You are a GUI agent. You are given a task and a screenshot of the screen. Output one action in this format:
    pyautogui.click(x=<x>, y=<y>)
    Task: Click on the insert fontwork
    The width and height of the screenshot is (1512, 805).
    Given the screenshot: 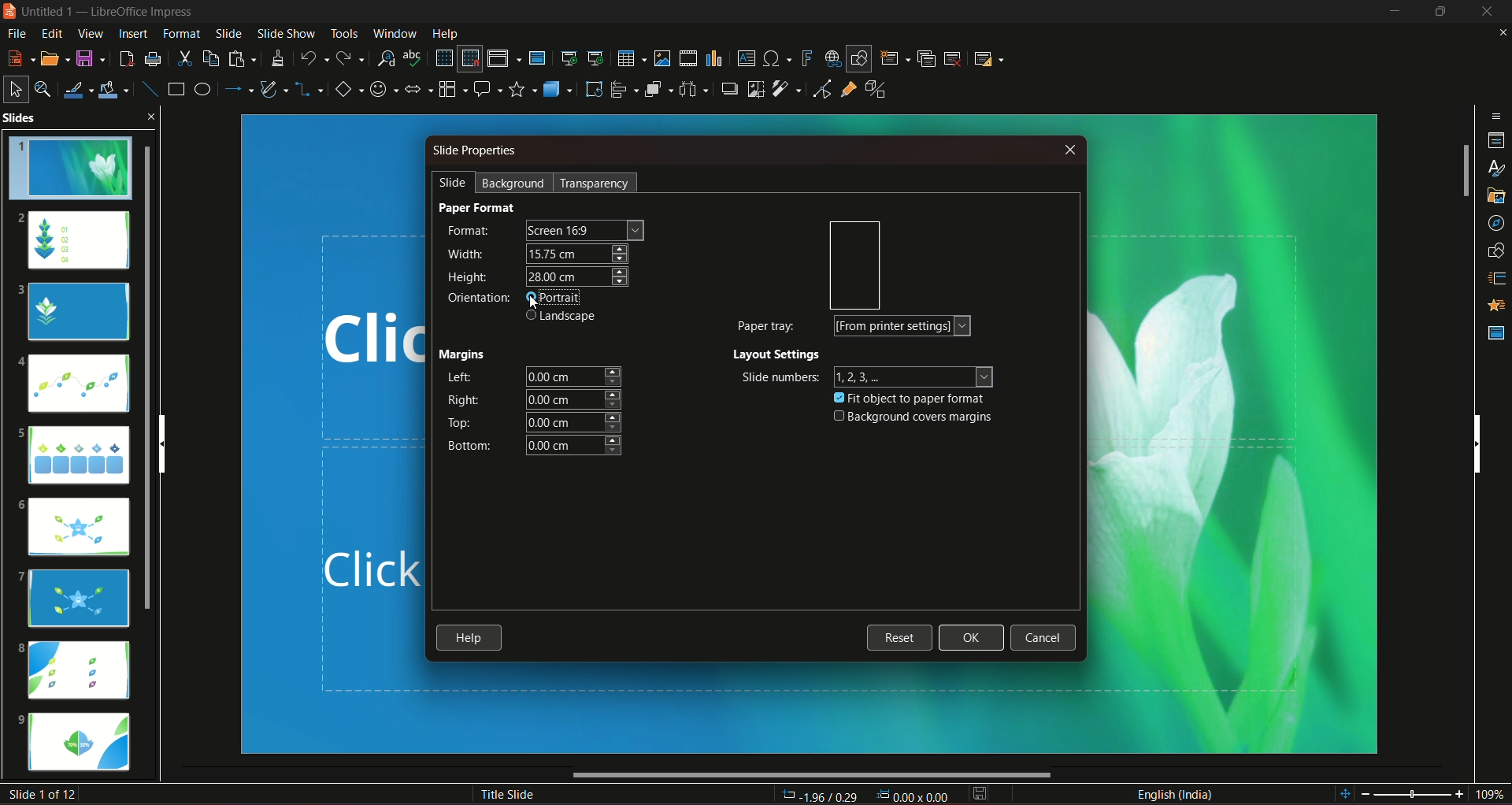 What is the action you would take?
    pyautogui.click(x=807, y=58)
    